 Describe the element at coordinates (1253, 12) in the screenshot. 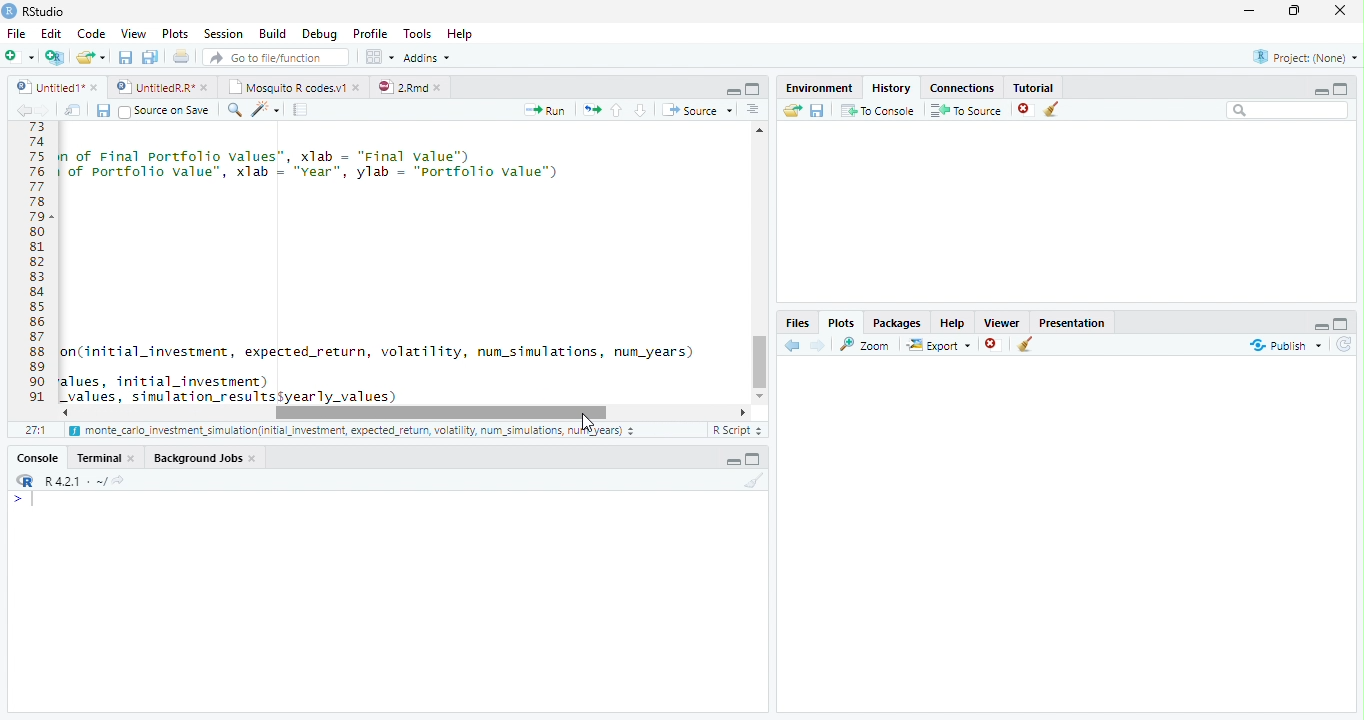

I see `Minimize` at that location.